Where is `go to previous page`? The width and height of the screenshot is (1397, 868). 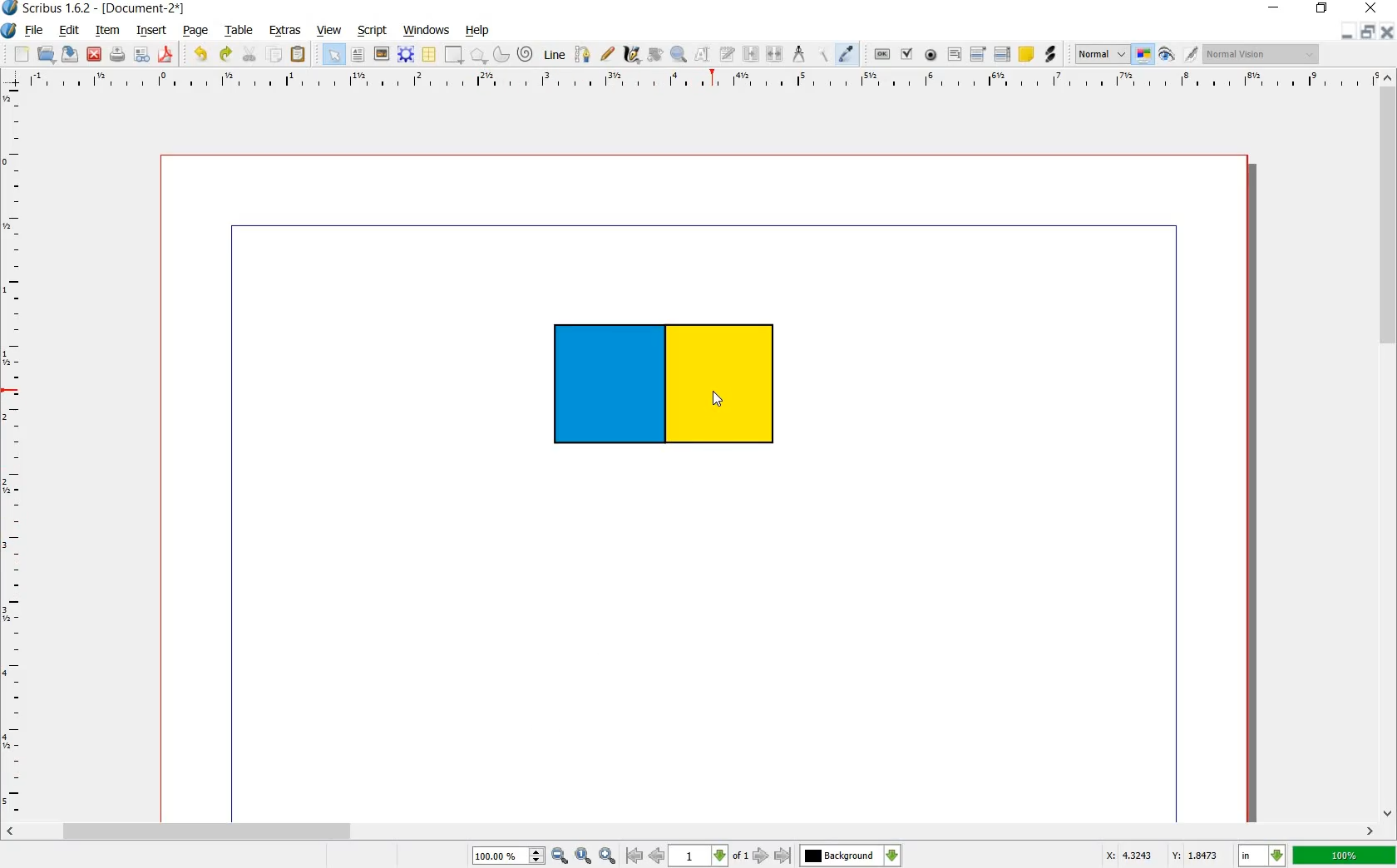
go to previous page is located at coordinates (658, 856).